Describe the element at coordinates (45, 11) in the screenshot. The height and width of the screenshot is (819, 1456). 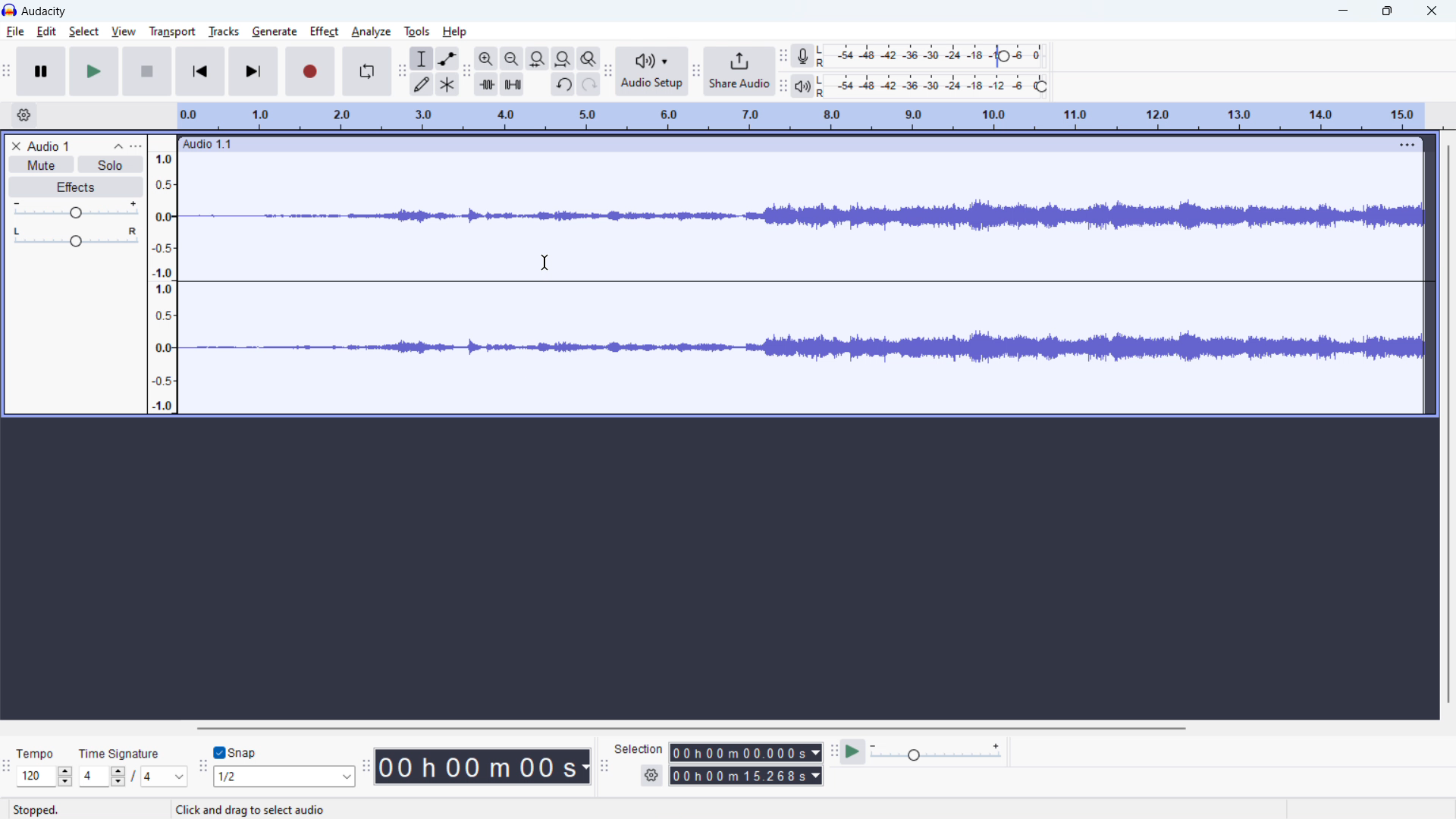
I see `title` at that location.